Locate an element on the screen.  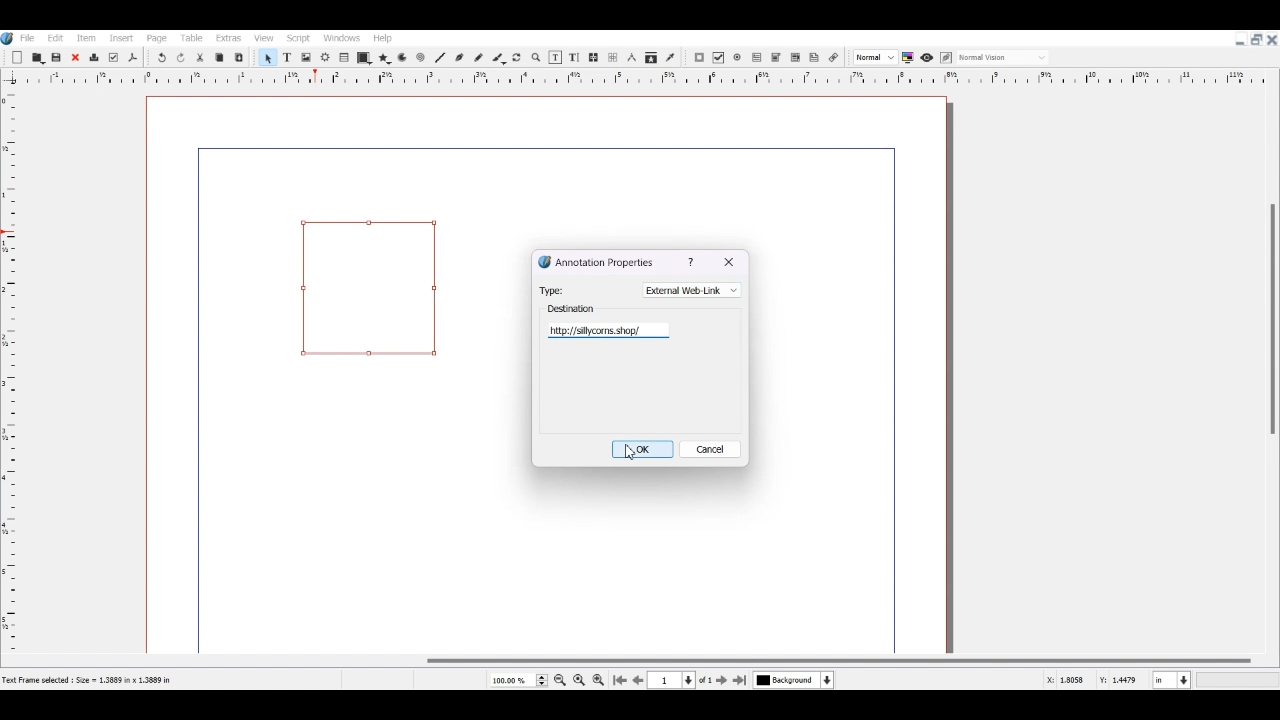
Line is located at coordinates (440, 57).